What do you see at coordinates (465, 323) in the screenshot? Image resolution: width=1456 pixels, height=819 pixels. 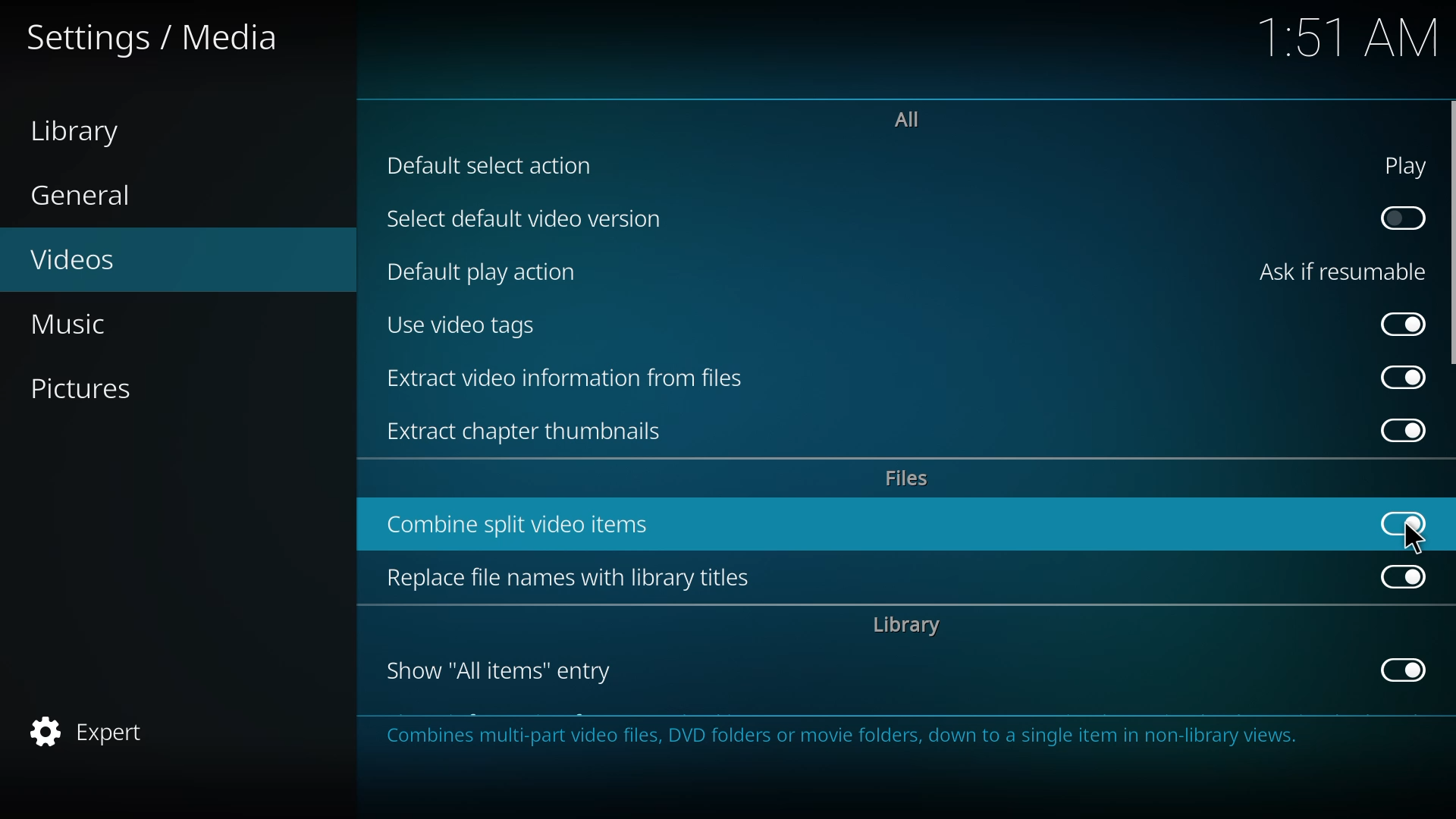 I see `use video tags` at bounding box center [465, 323].